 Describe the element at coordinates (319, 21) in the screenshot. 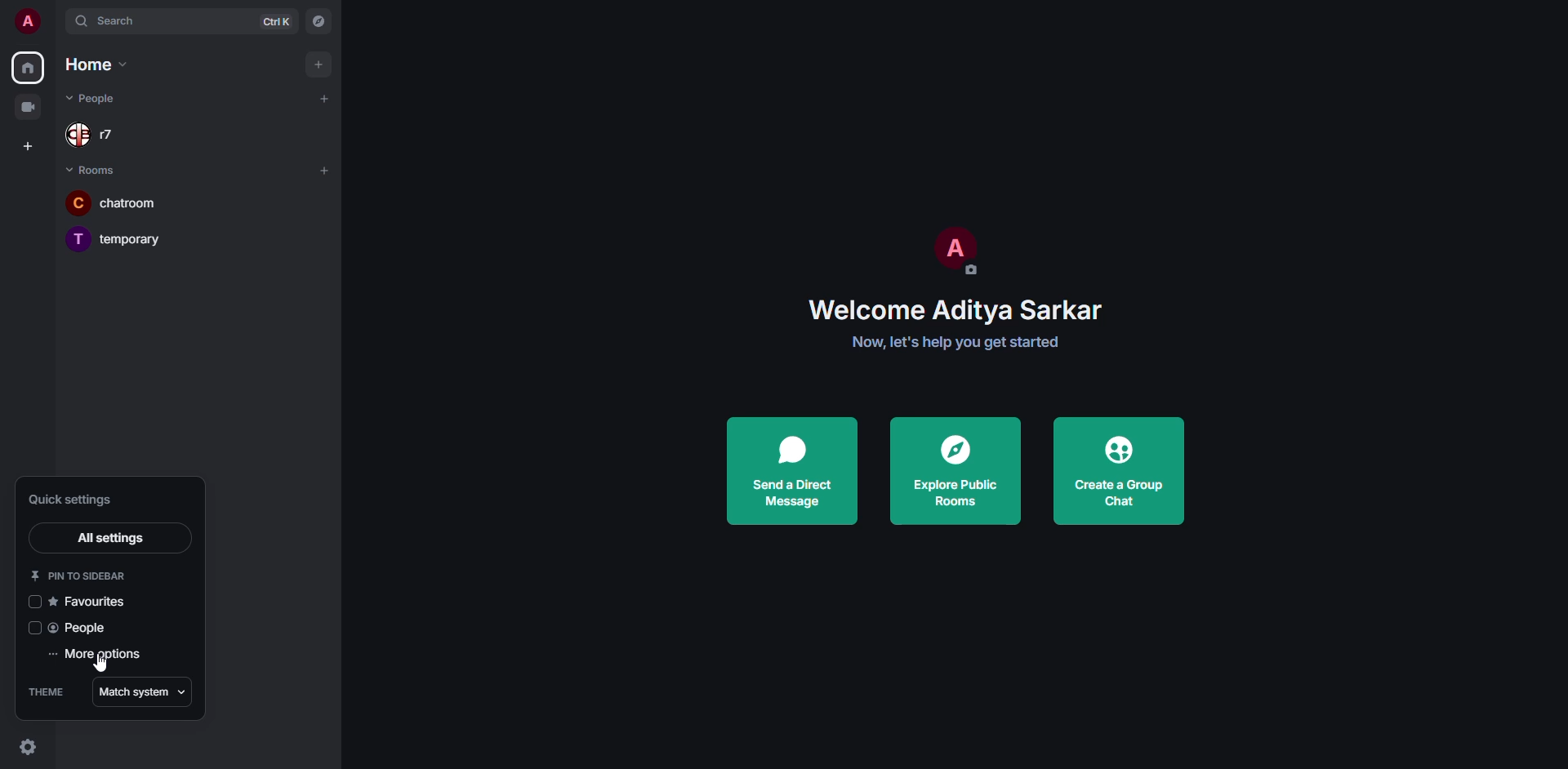

I see `navigator` at that location.